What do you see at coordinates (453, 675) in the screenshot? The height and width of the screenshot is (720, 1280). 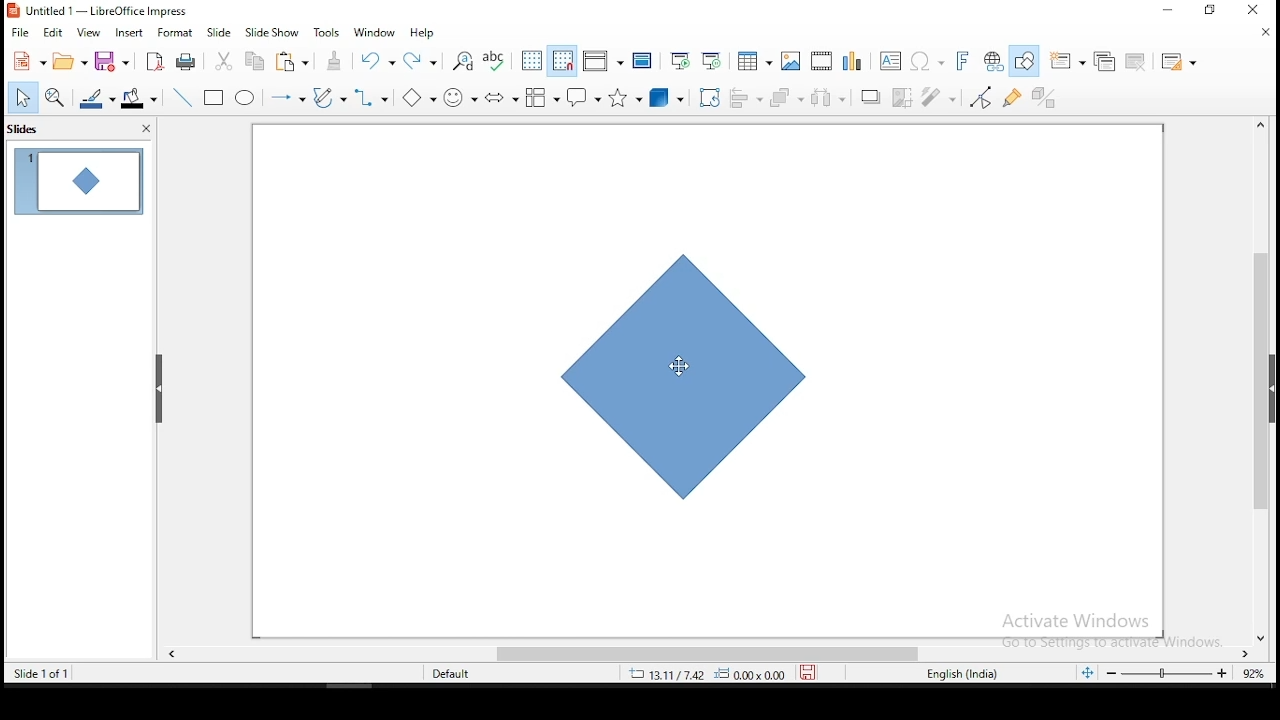 I see `Default` at bounding box center [453, 675].